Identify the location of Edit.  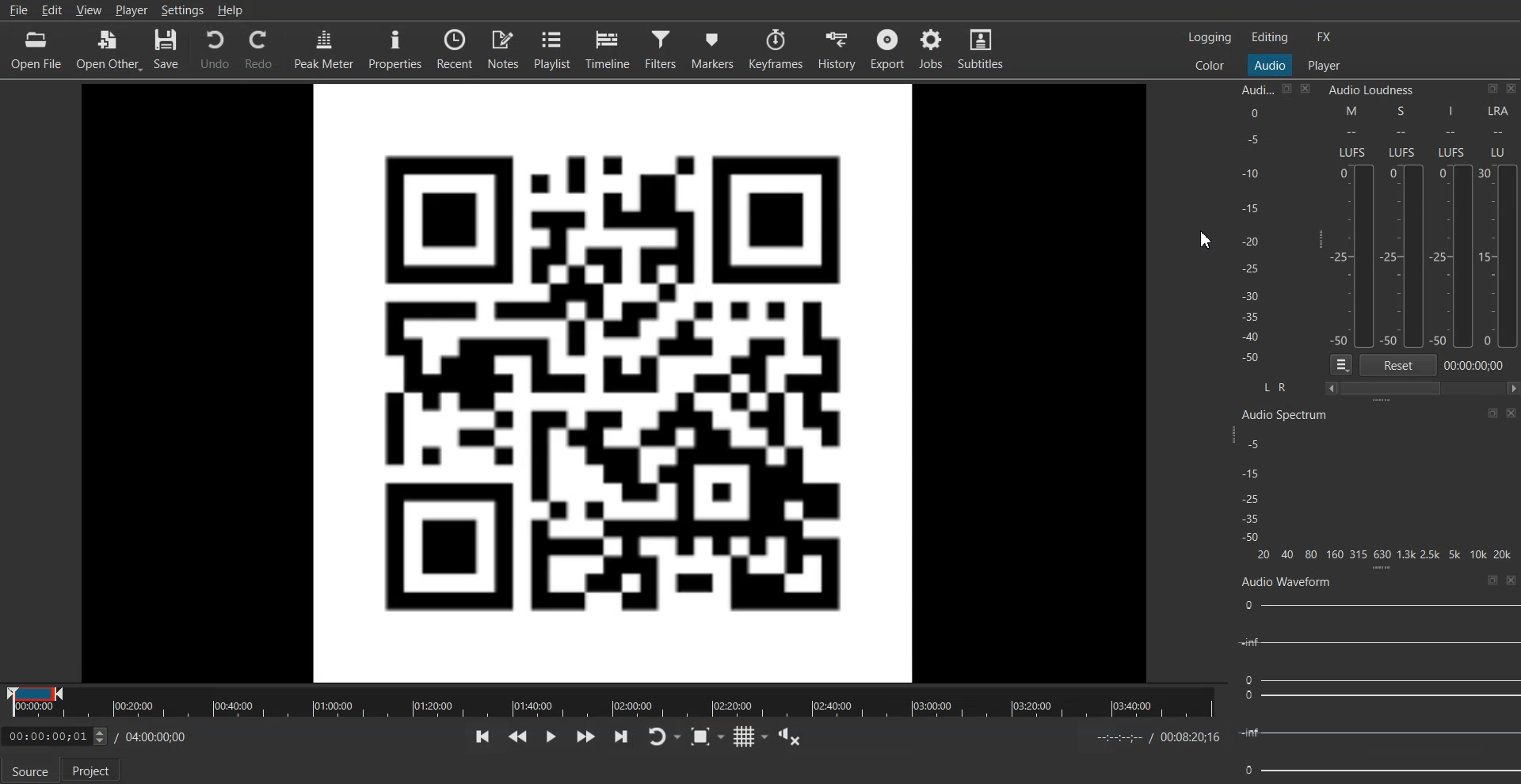
(52, 10).